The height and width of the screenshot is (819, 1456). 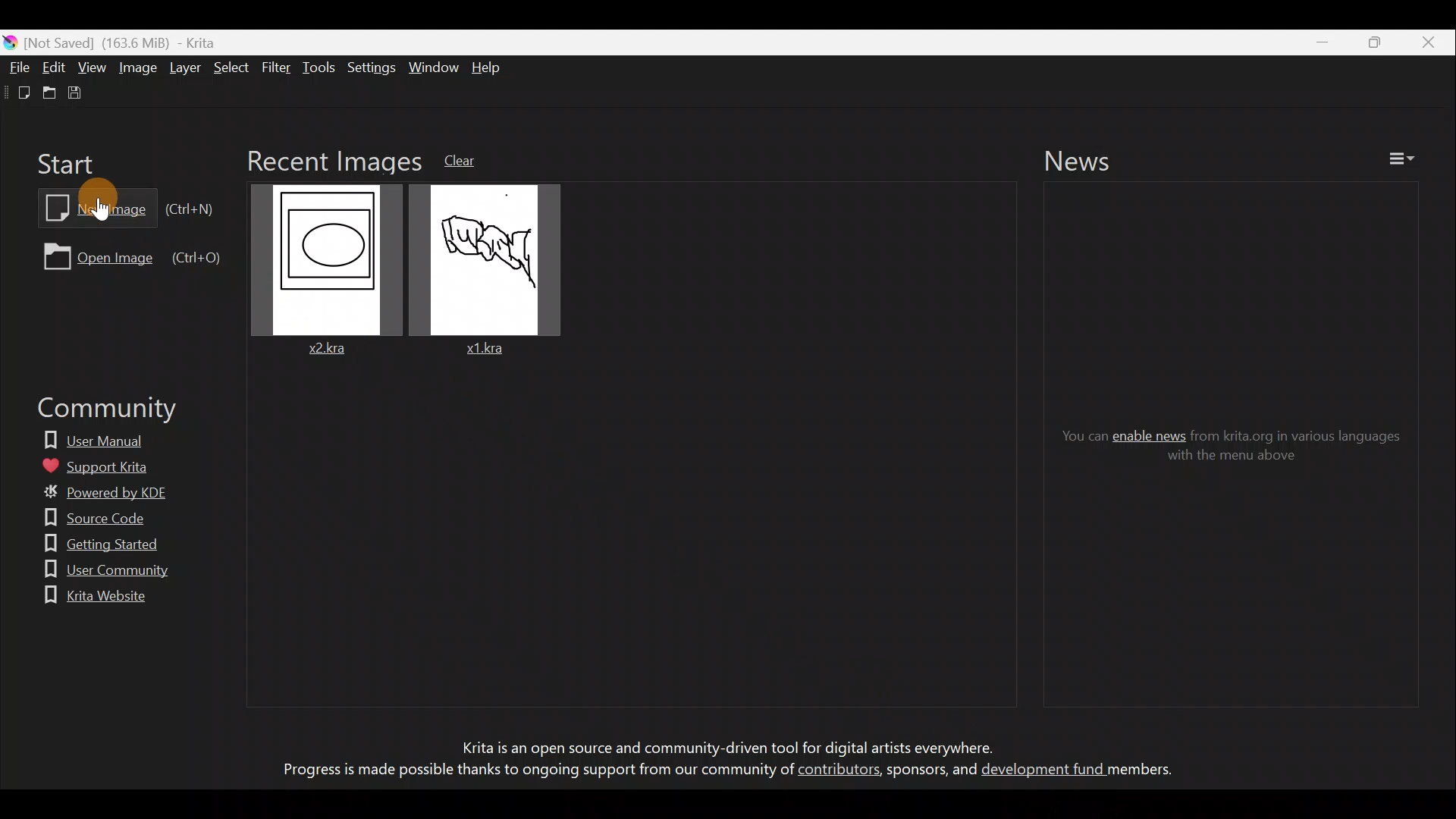 What do you see at coordinates (9, 42) in the screenshot?
I see `Krtia logo` at bounding box center [9, 42].